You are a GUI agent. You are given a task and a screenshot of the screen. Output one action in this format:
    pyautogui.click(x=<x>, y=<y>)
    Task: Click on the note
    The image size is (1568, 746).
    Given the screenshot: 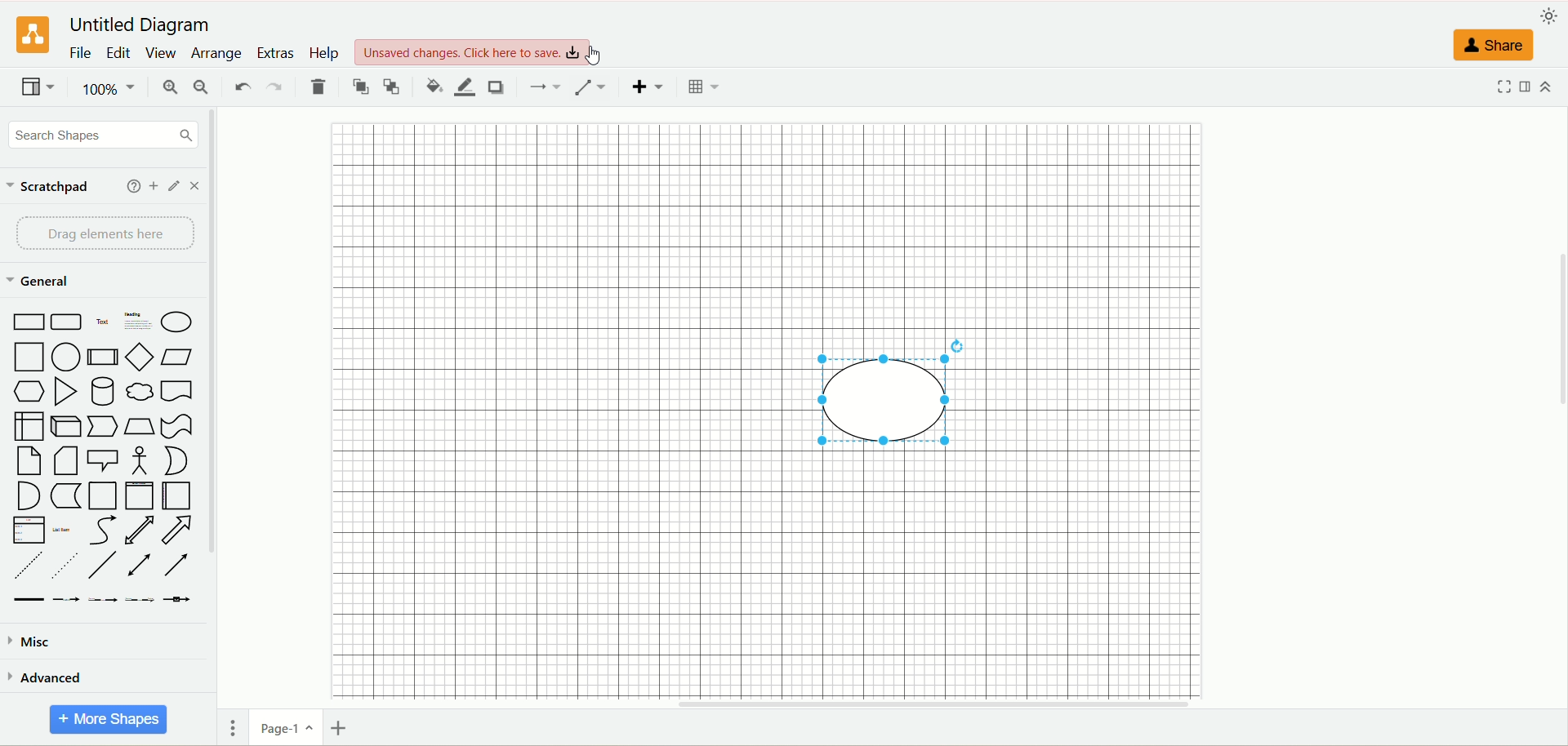 What is the action you would take?
    pyautogui.click(x=30, y=461)
    